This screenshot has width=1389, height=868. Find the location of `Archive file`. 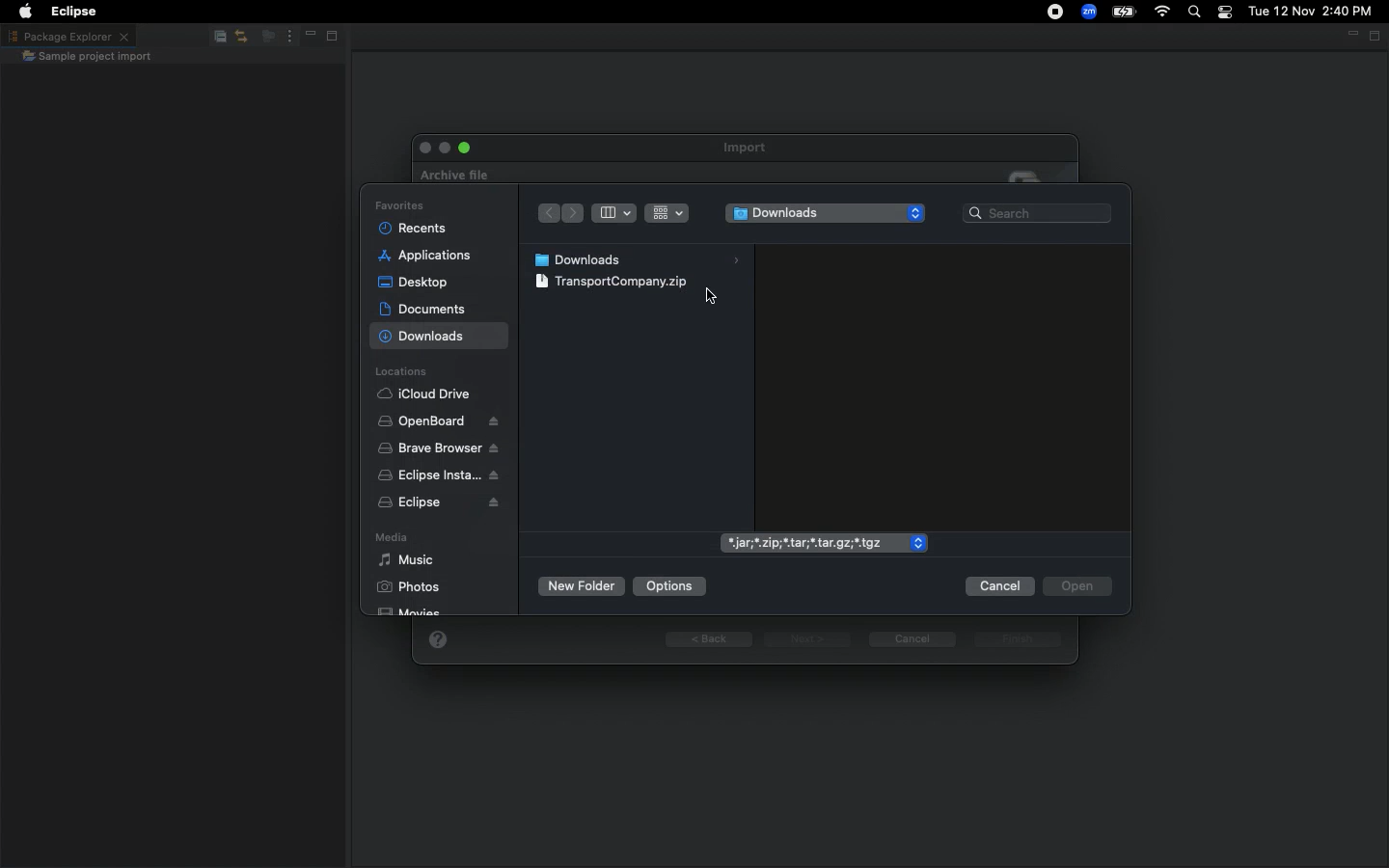

Archive file is located at coordinates (449, 173).